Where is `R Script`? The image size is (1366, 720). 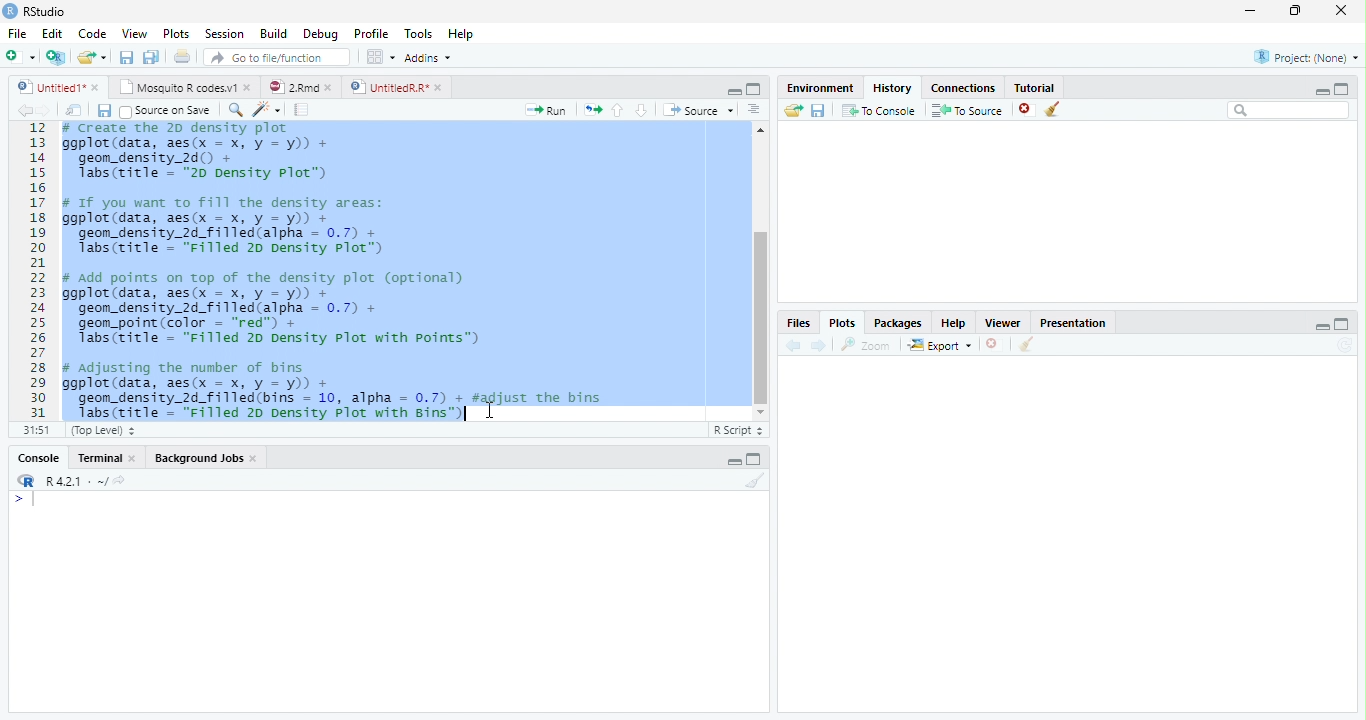 R Script is located at coordinates (739, 431).